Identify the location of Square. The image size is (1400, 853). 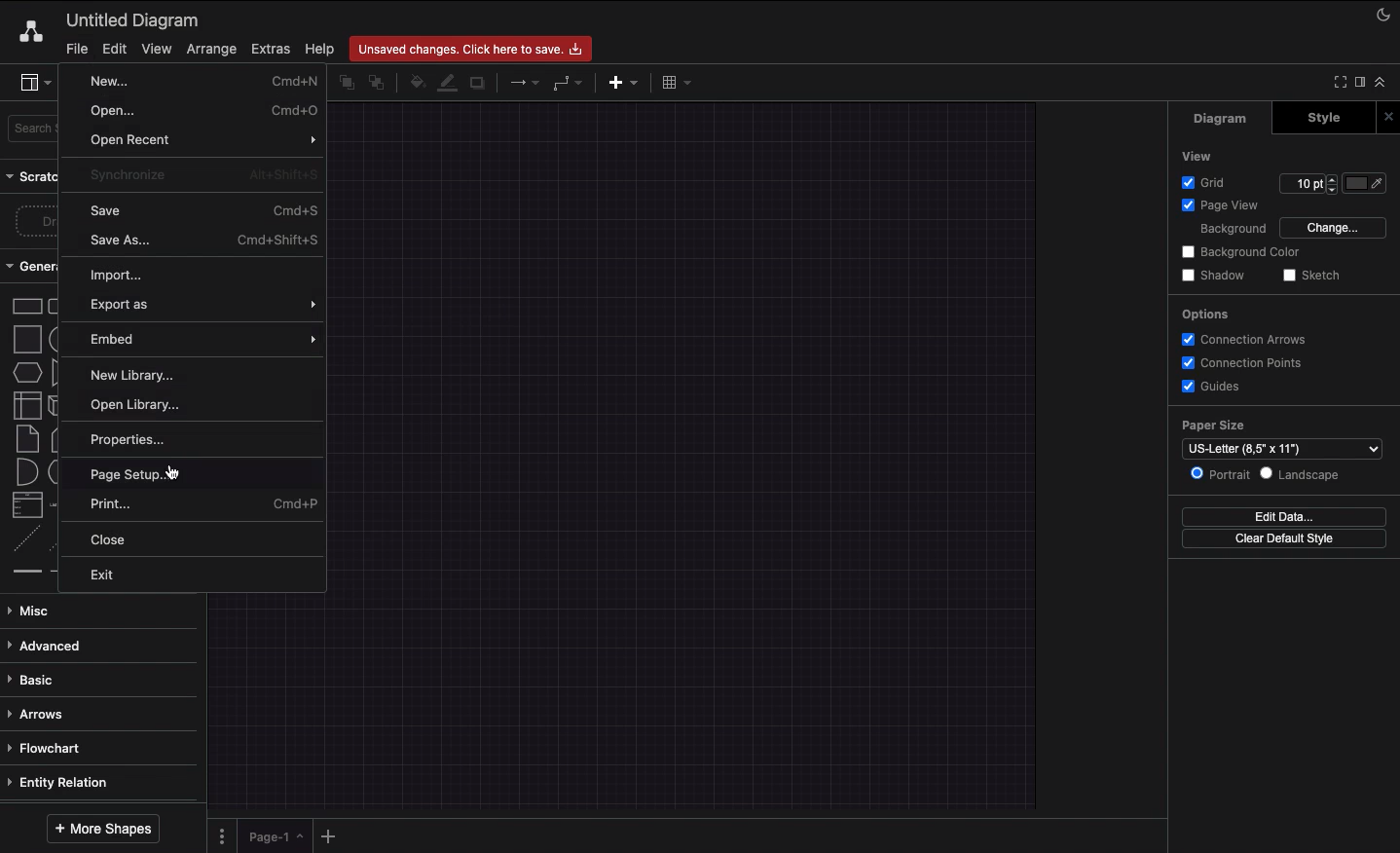
(25, 339).